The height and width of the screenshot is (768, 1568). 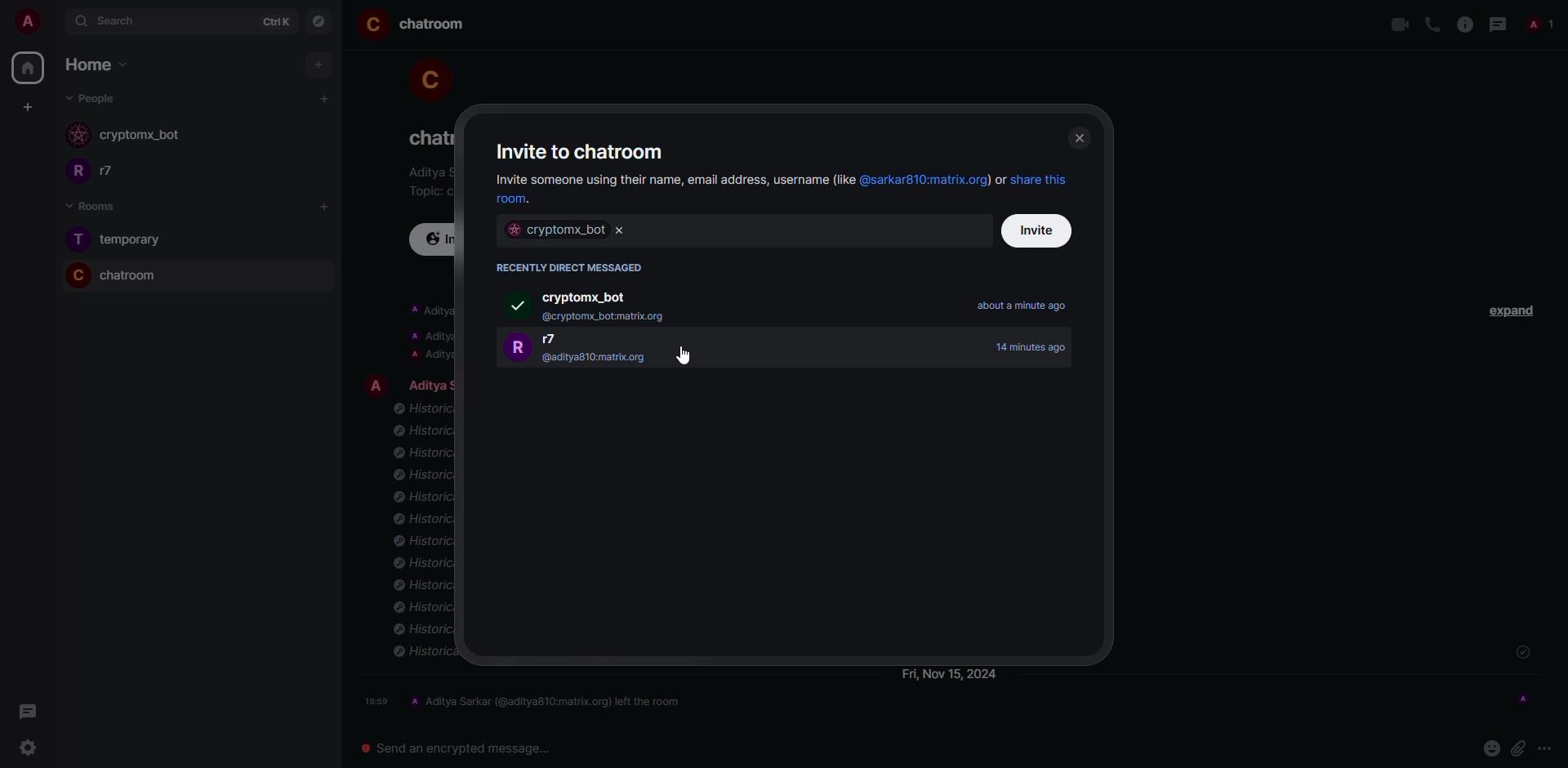 What do you see at coordinates (427, 172) in the screenshot?
I see `info` at bounding box center [427, 172].